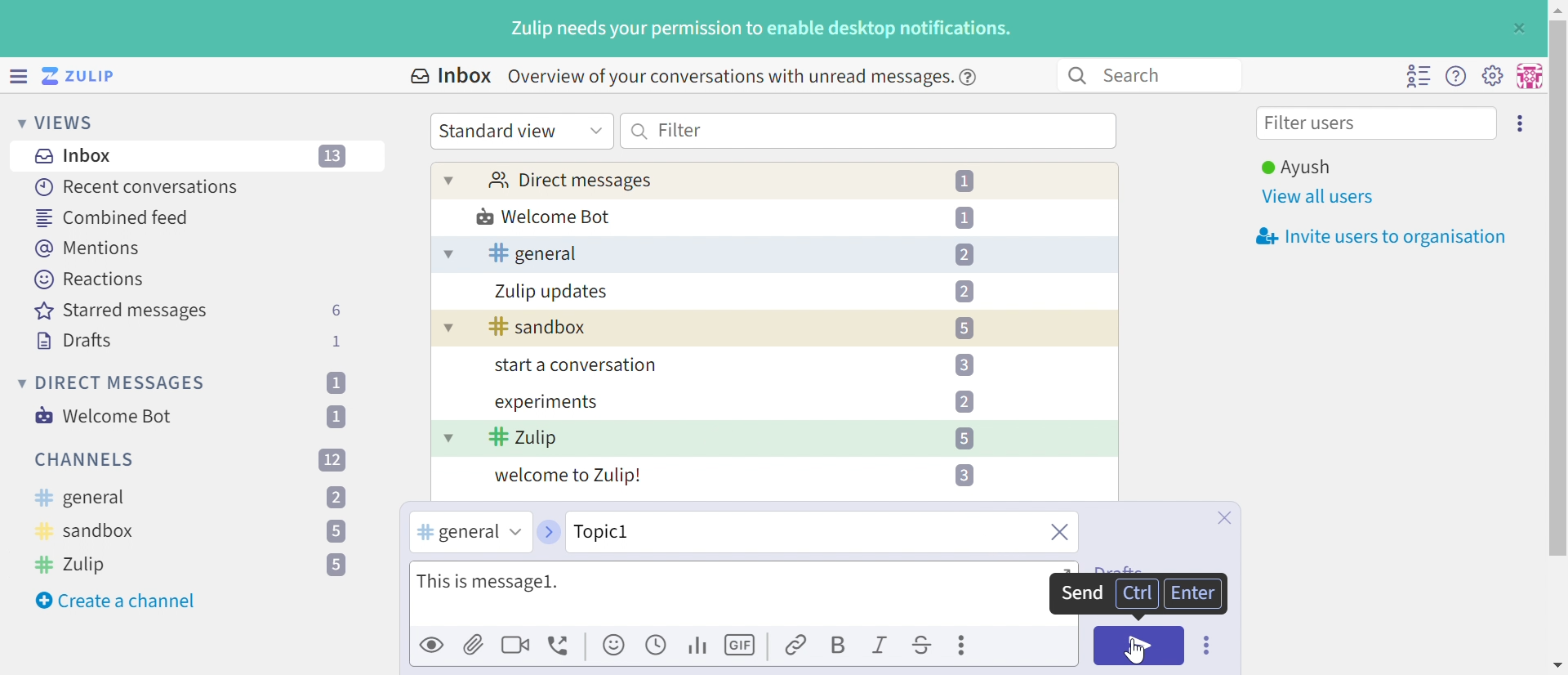  Describe the element at coordinates (335, 533) in the screenshot. I see `5` at that location.